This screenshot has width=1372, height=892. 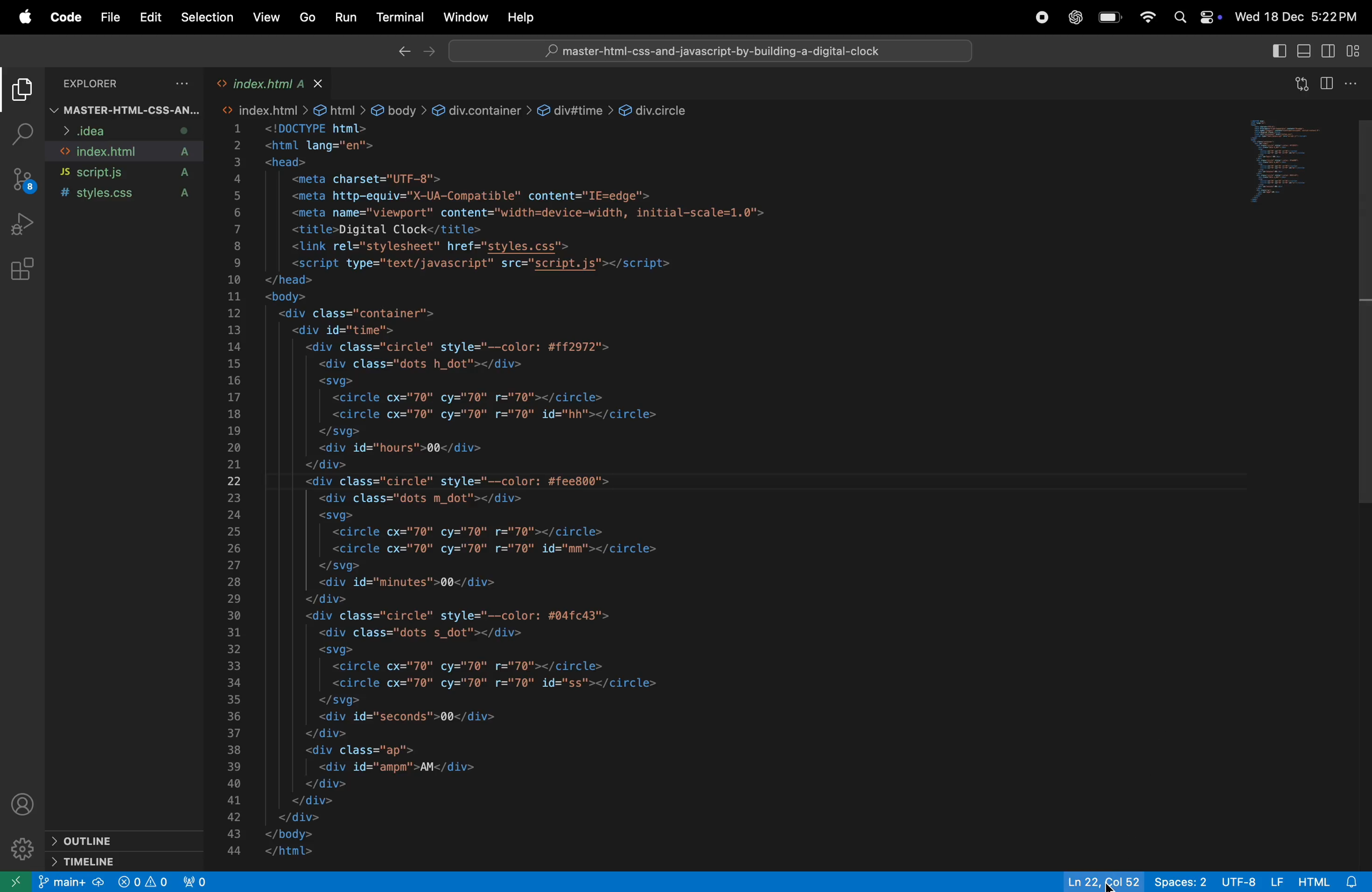 I want to click on battery, so click(x=1108, y=18).